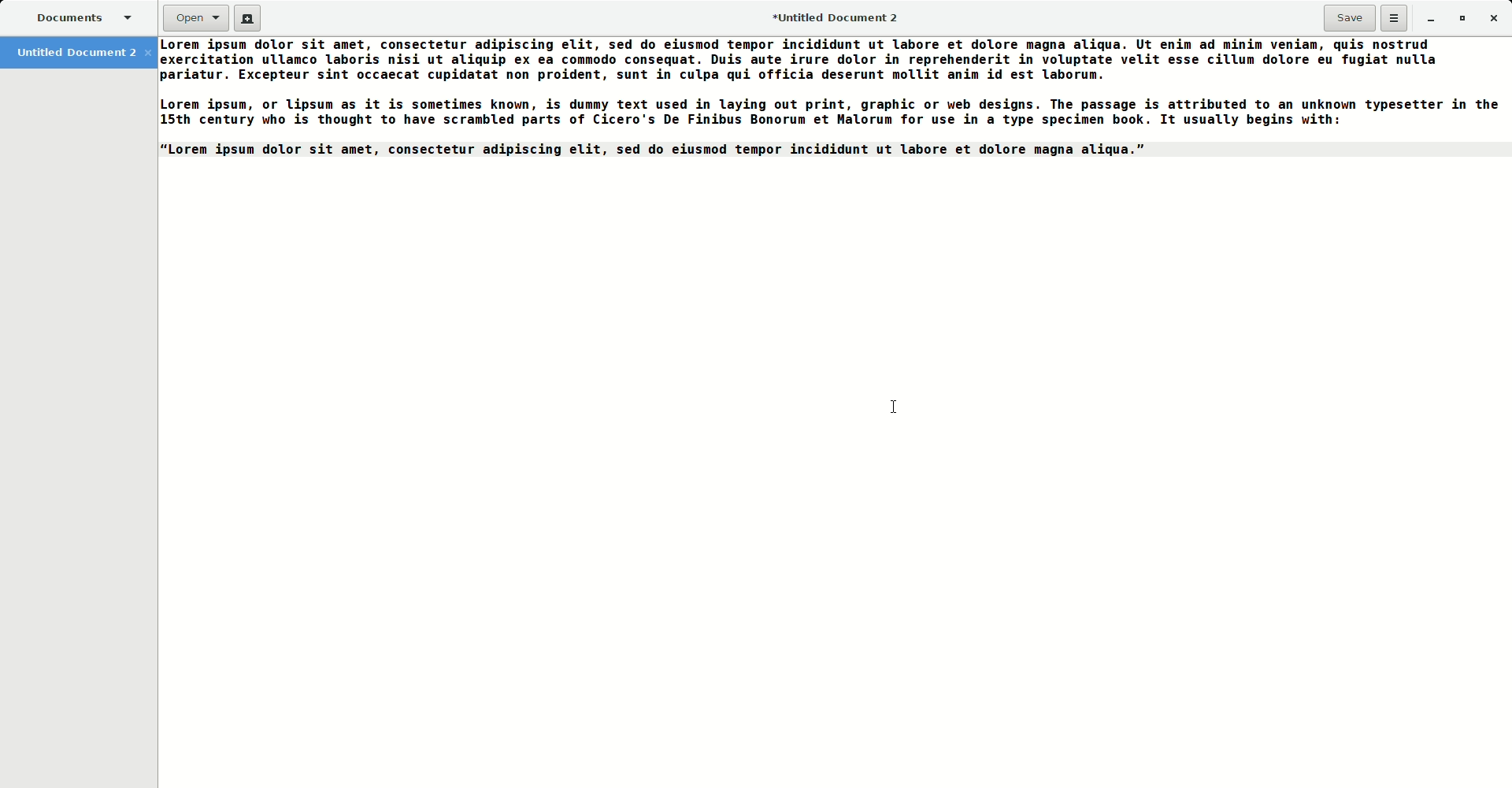 The image size is (1512, 788). I want to click on Restore, so click(1460, 18).